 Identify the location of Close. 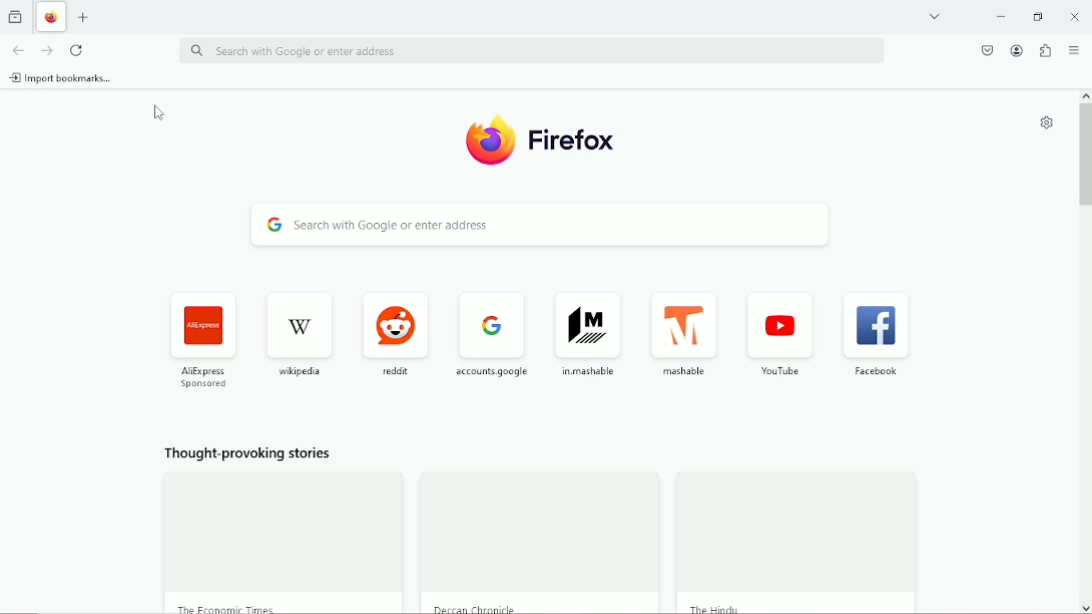
(1075, 17).